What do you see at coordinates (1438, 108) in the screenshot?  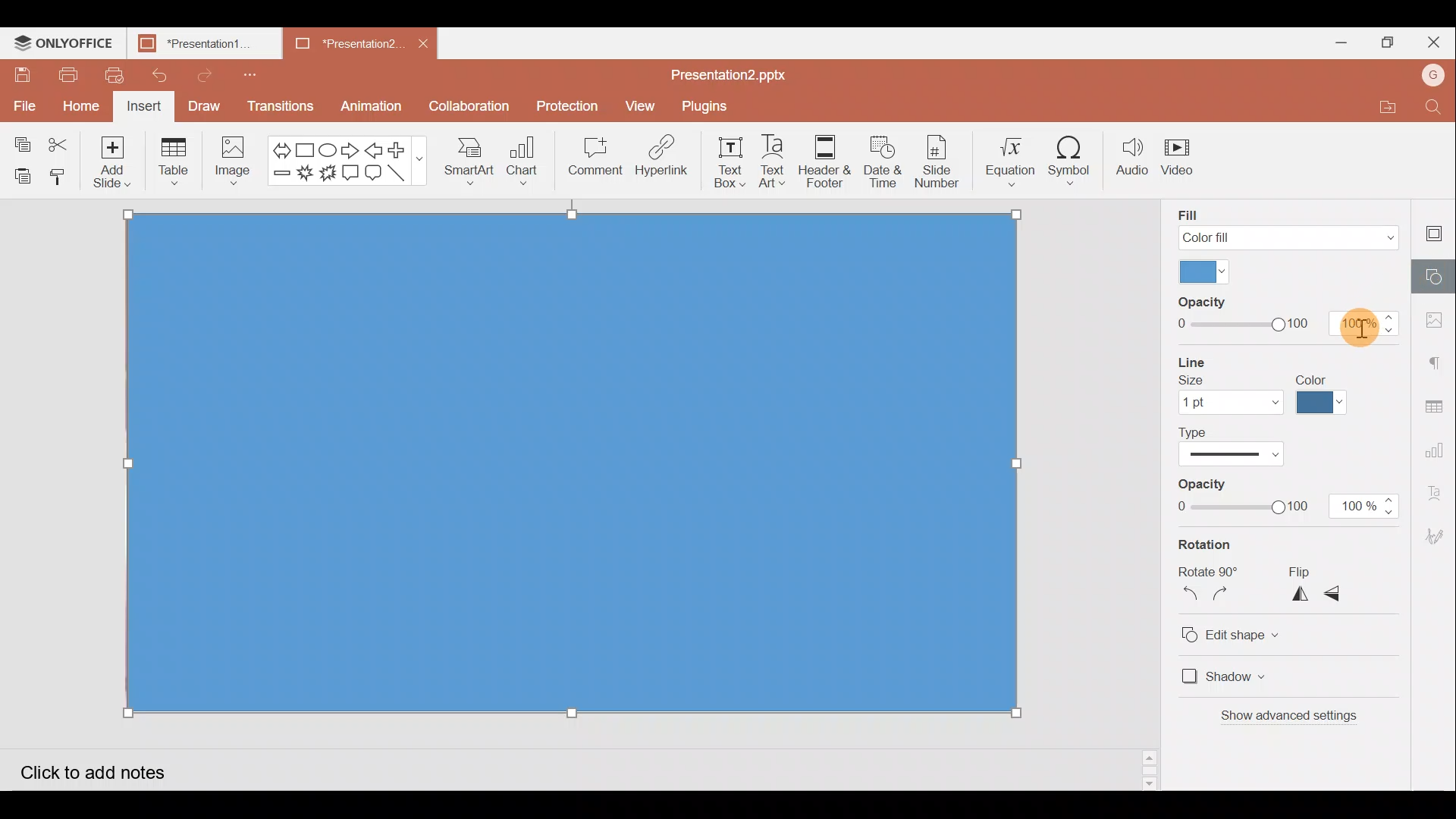 I see `Find` at bounding box center [1438, 108].